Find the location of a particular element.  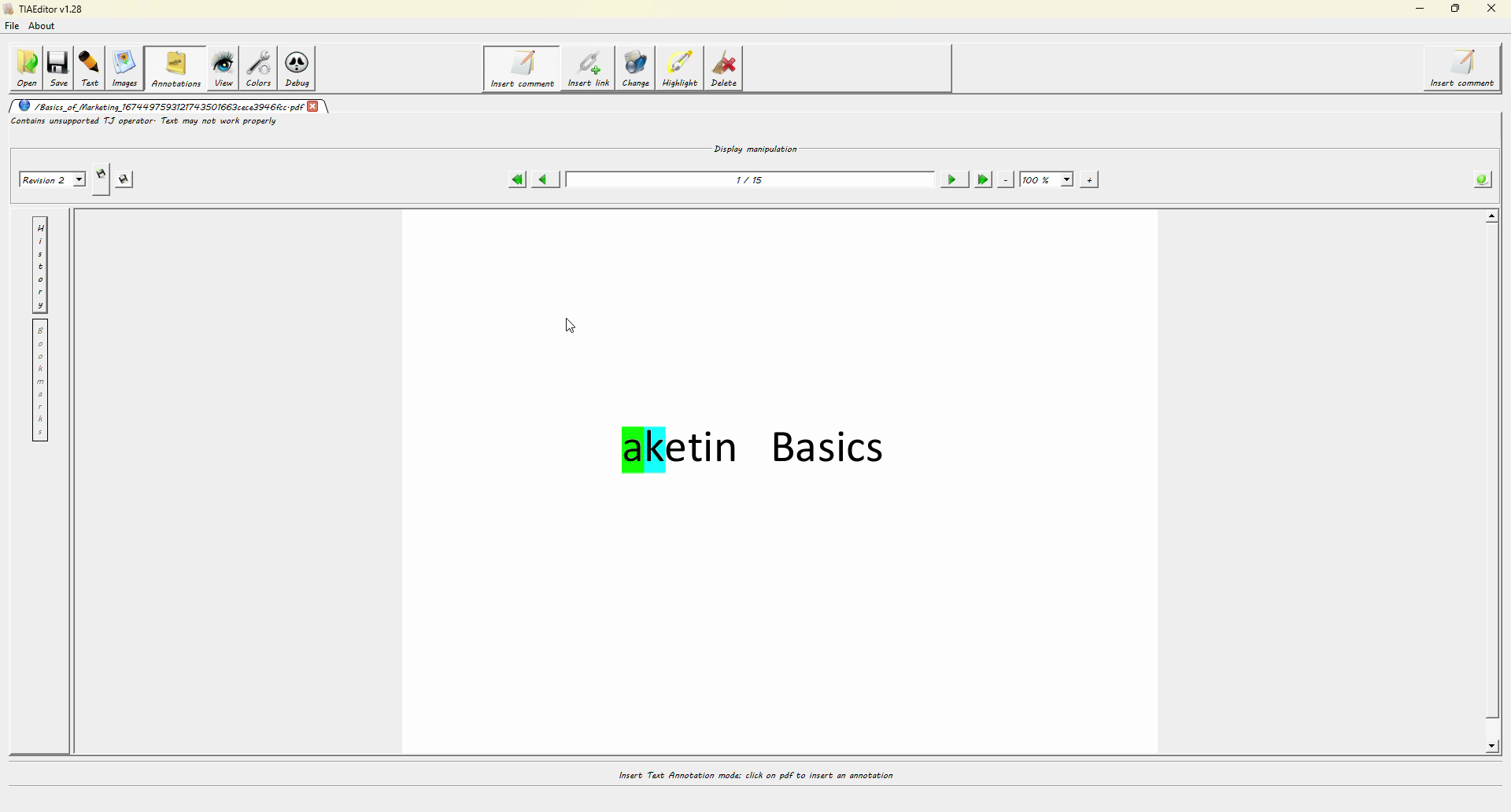

delete is located at coordinates (728, 72).